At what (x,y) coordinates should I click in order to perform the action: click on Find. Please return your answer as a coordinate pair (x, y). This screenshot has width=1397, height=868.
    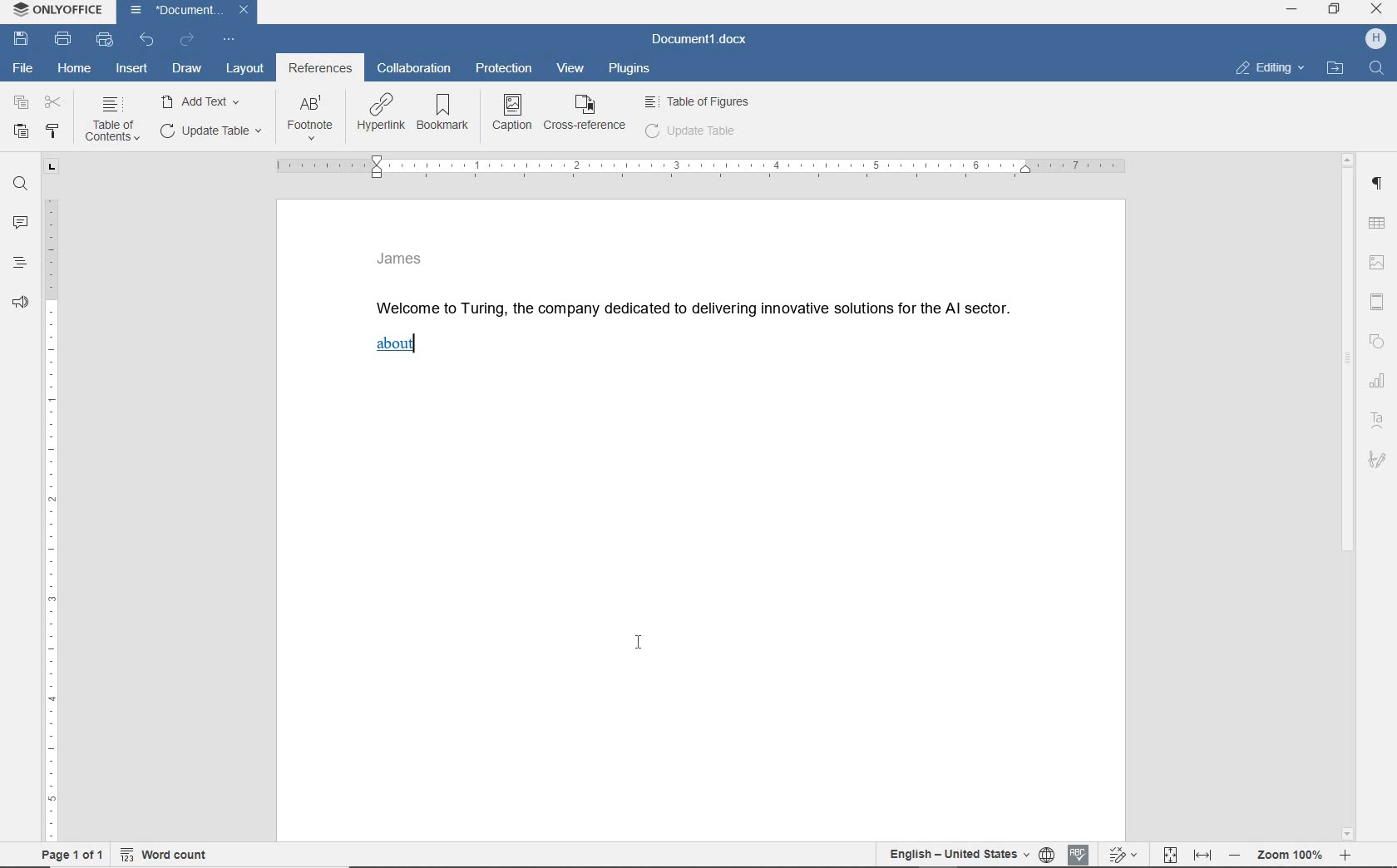
    Looking at the image, I should click on (1380, 67).